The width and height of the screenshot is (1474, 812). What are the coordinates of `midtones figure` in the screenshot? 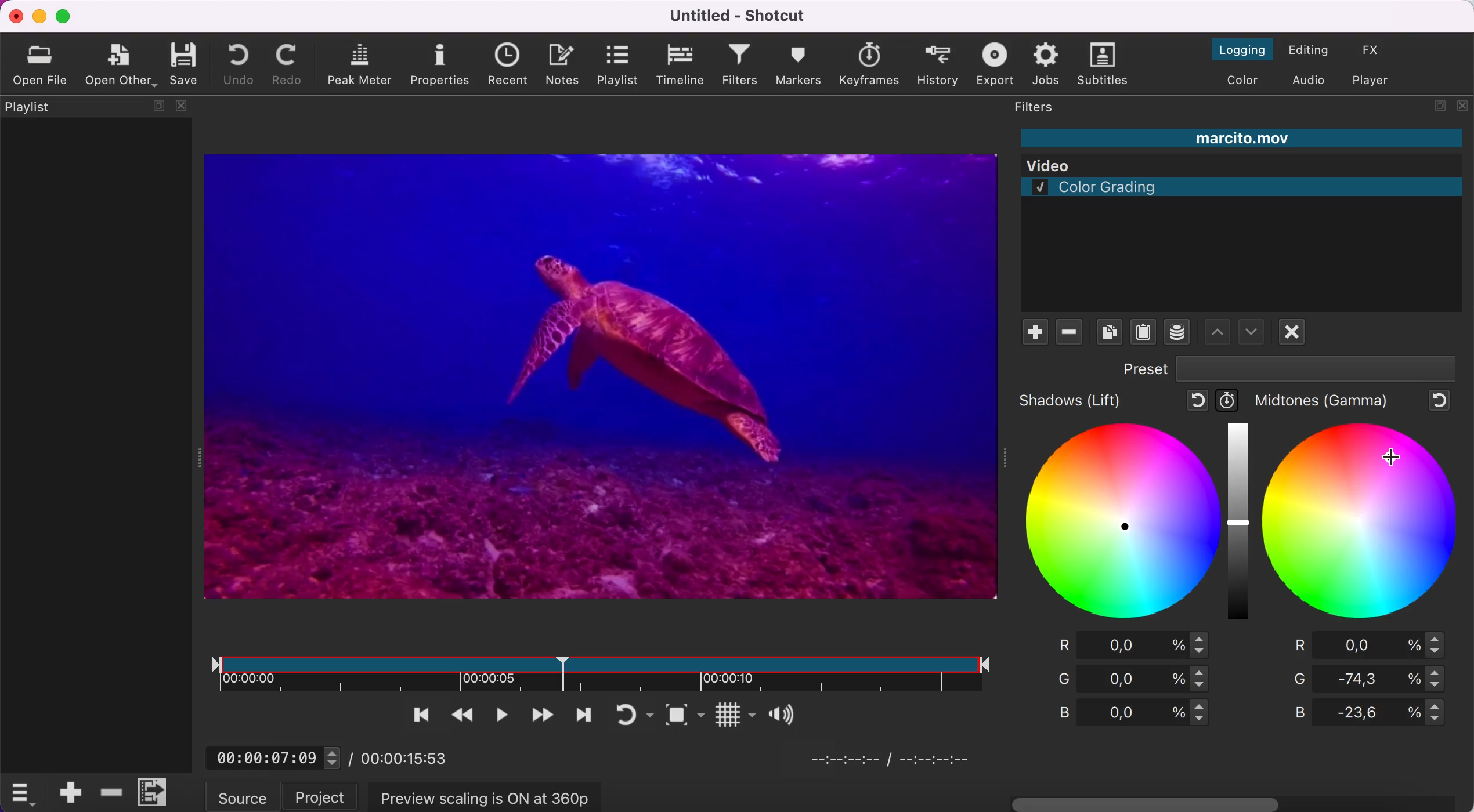 It's located at (1364, 521).